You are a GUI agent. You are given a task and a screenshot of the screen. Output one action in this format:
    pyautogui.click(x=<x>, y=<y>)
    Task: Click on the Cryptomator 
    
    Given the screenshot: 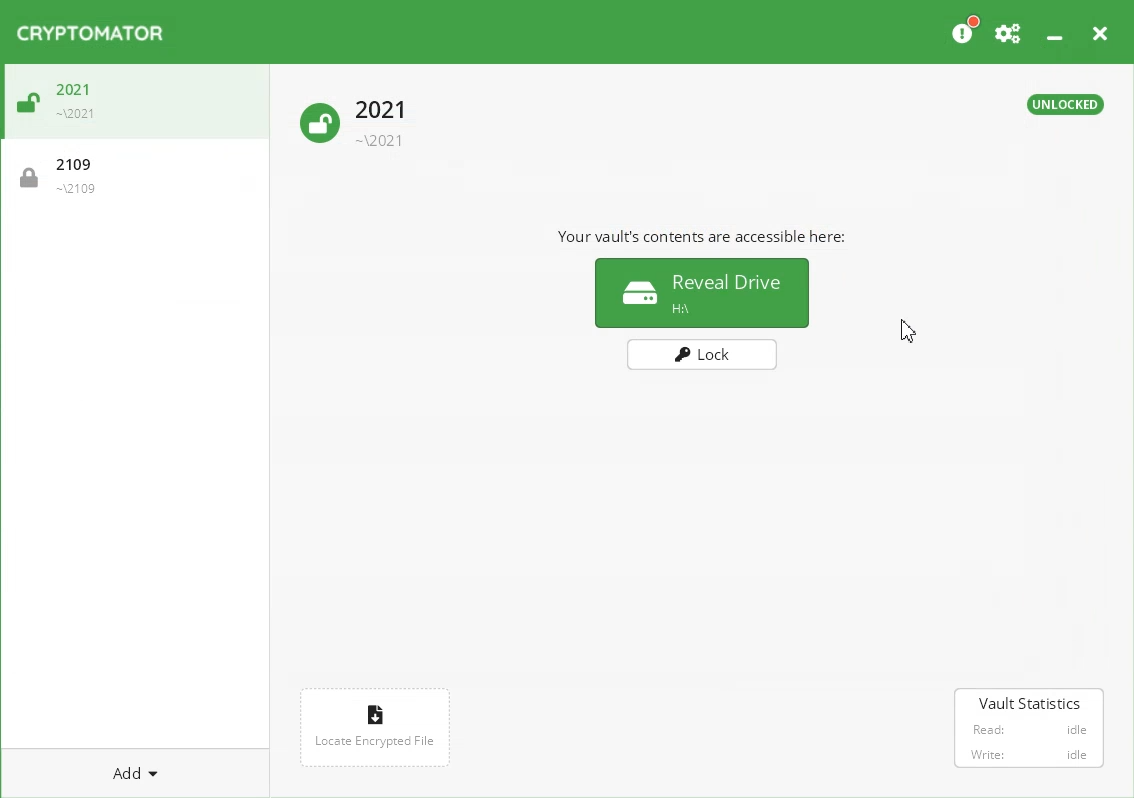 What is the action you would take?
    pyautogui.click(x=94, y=34)
    